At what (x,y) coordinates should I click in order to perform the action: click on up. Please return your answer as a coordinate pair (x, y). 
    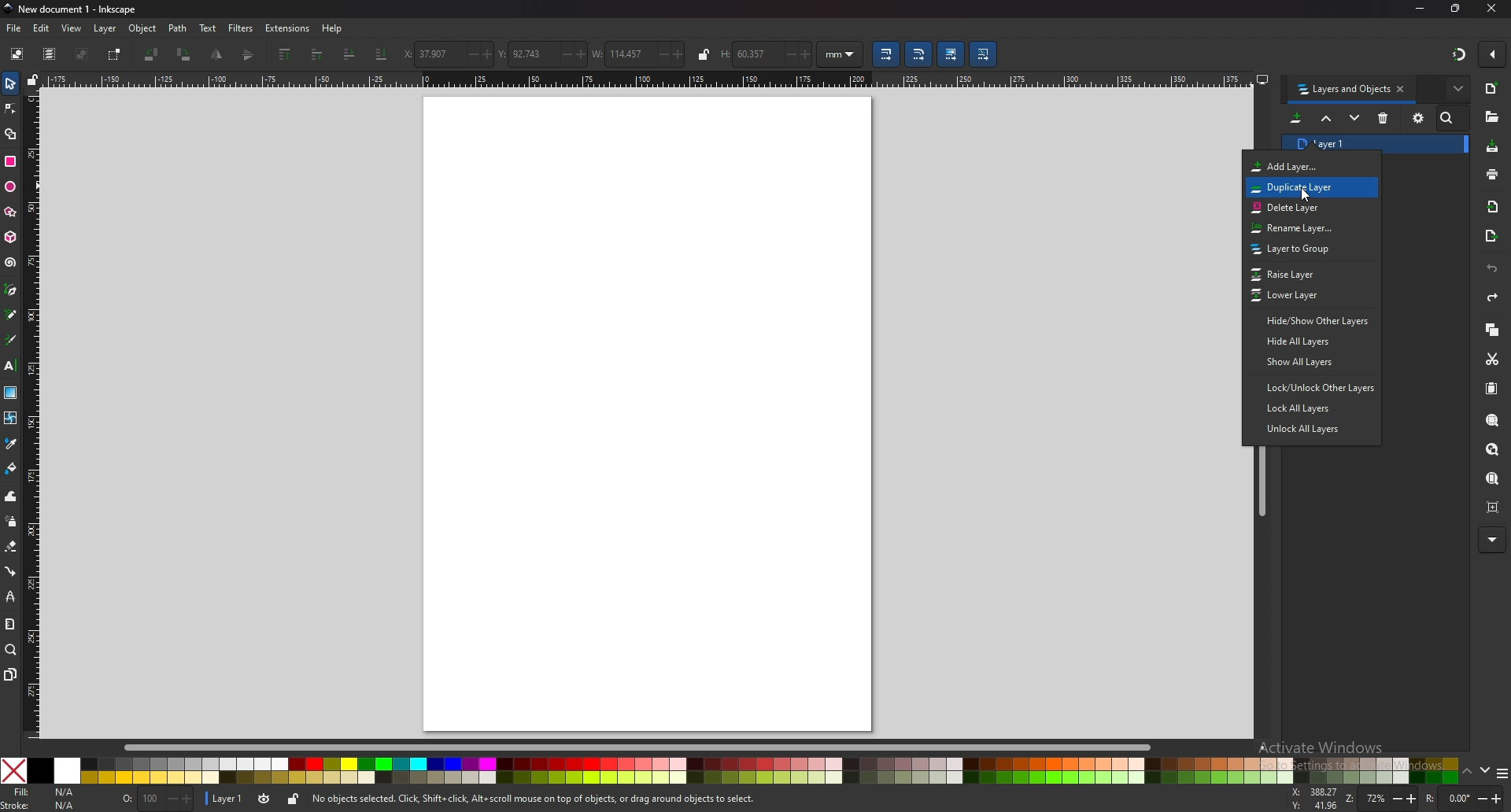
    Looking at the image, I should click on (1467, 772).